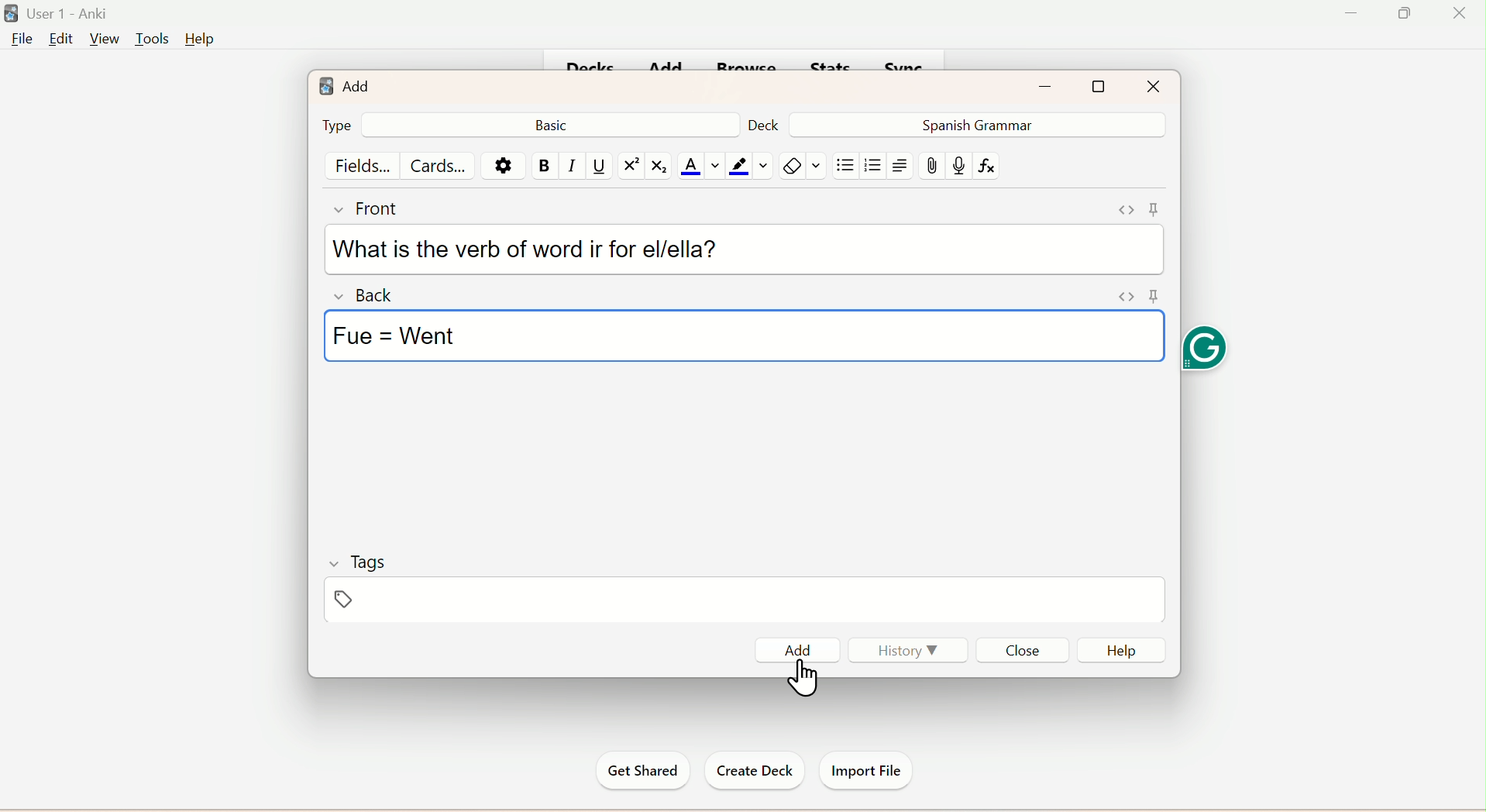  Describe the element at coordinates (1210, 343) in the screenshot. I see `Grammarly` at that location.